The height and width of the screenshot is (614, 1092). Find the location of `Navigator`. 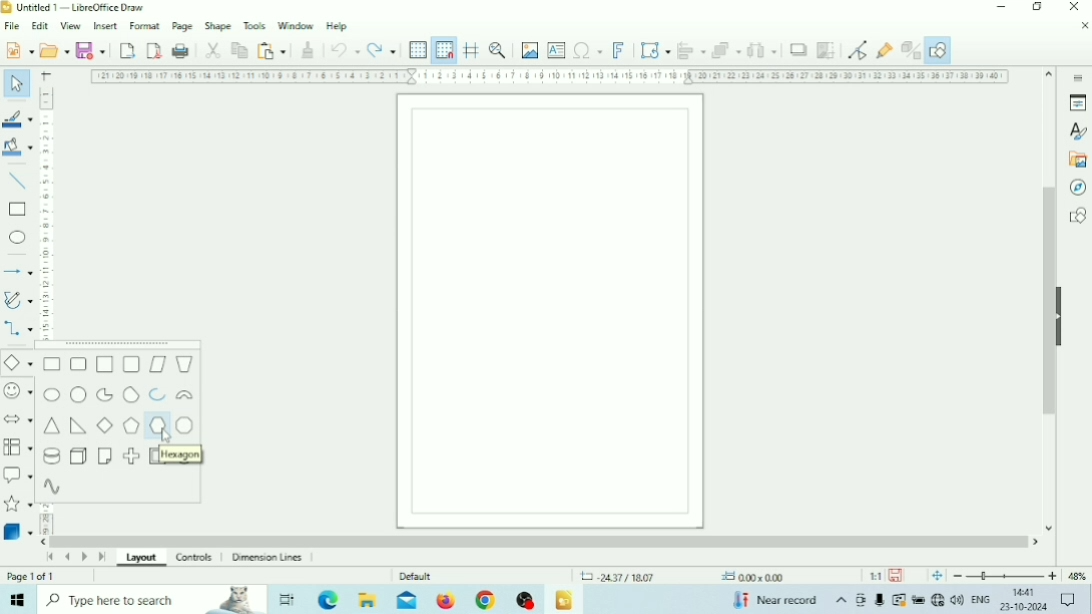

Navigator is located at coordinates (1076, 188).